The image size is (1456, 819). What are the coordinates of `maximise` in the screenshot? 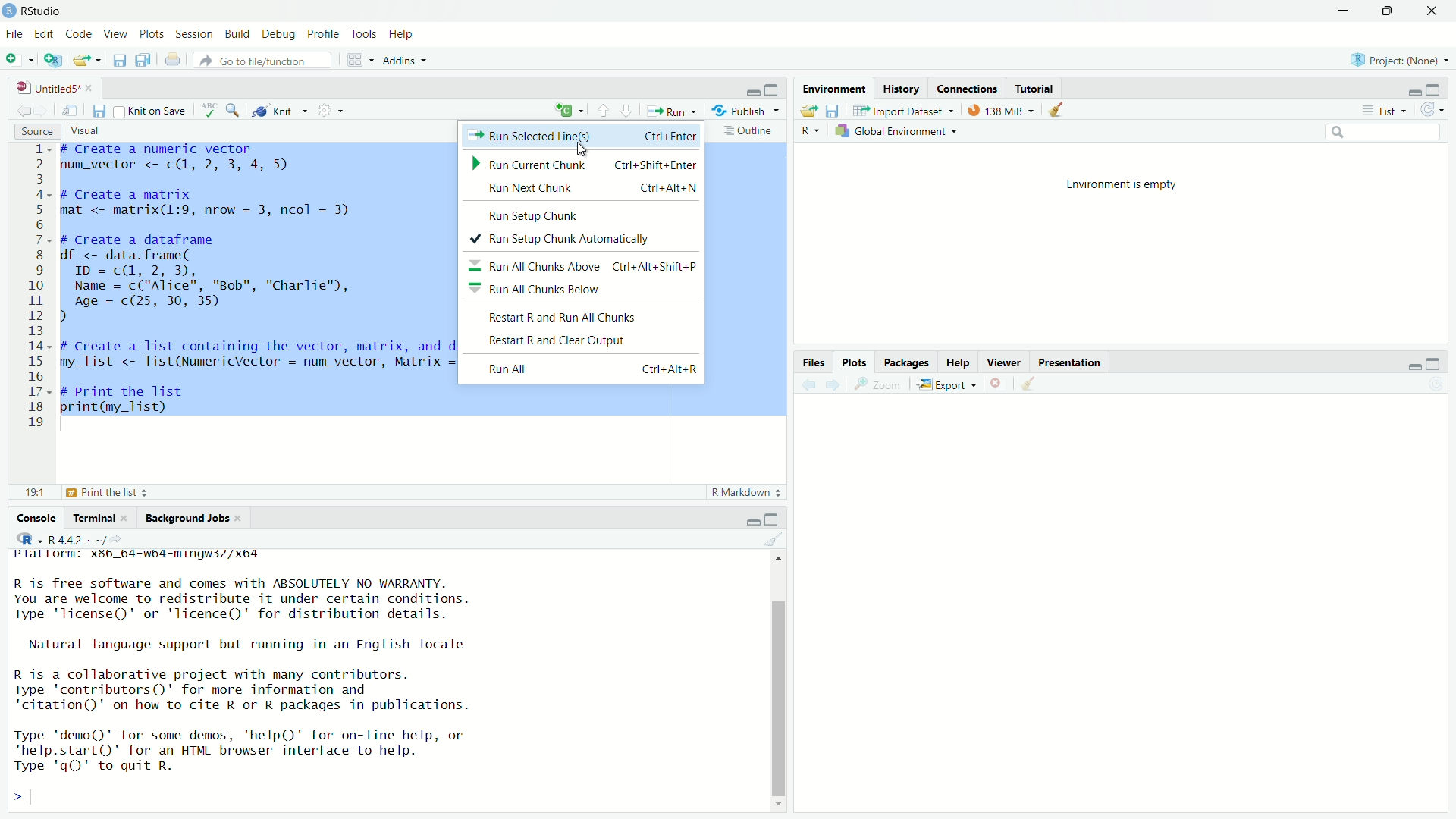 It's located at (1385, 11).